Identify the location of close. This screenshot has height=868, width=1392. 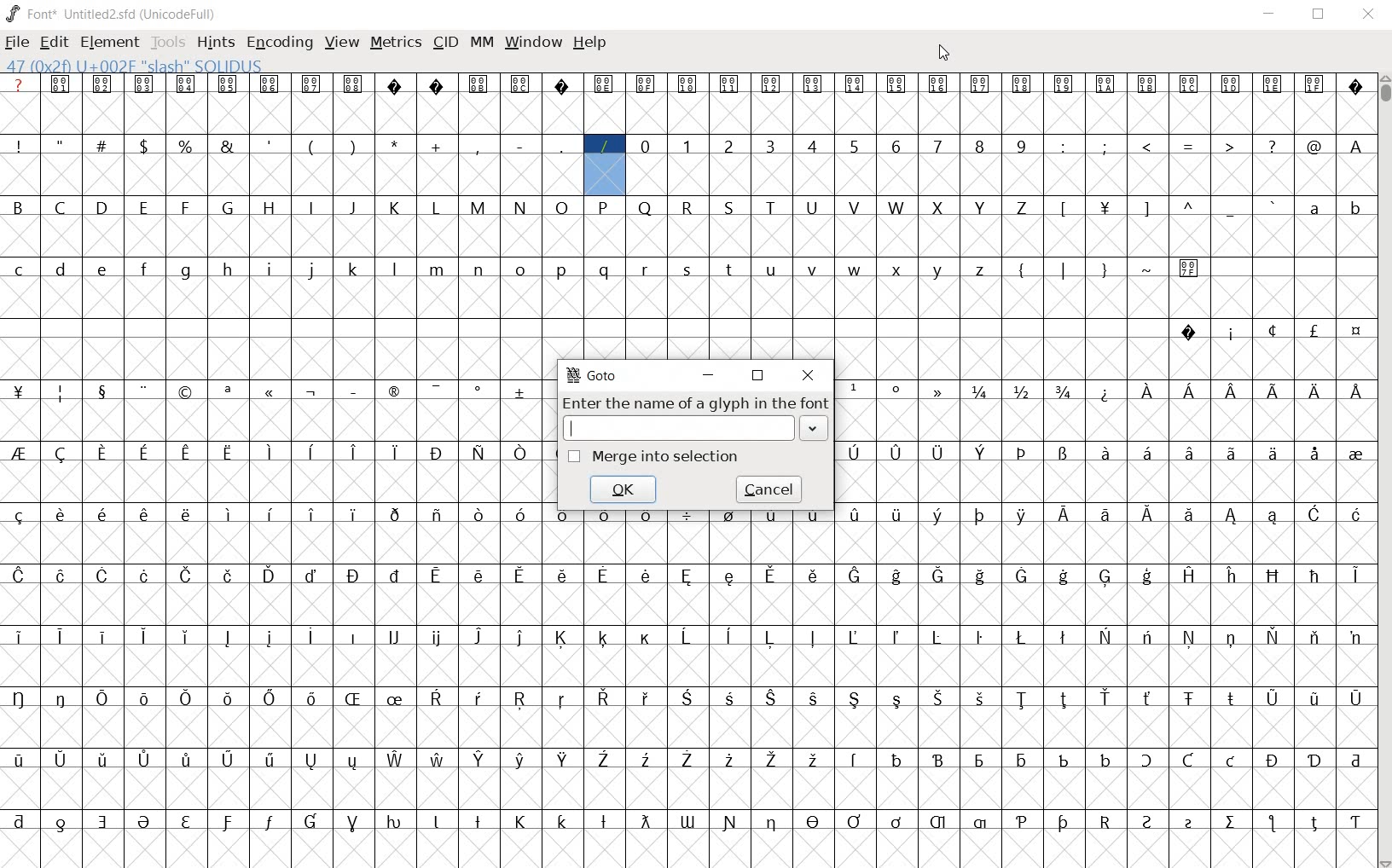
(807, 376).